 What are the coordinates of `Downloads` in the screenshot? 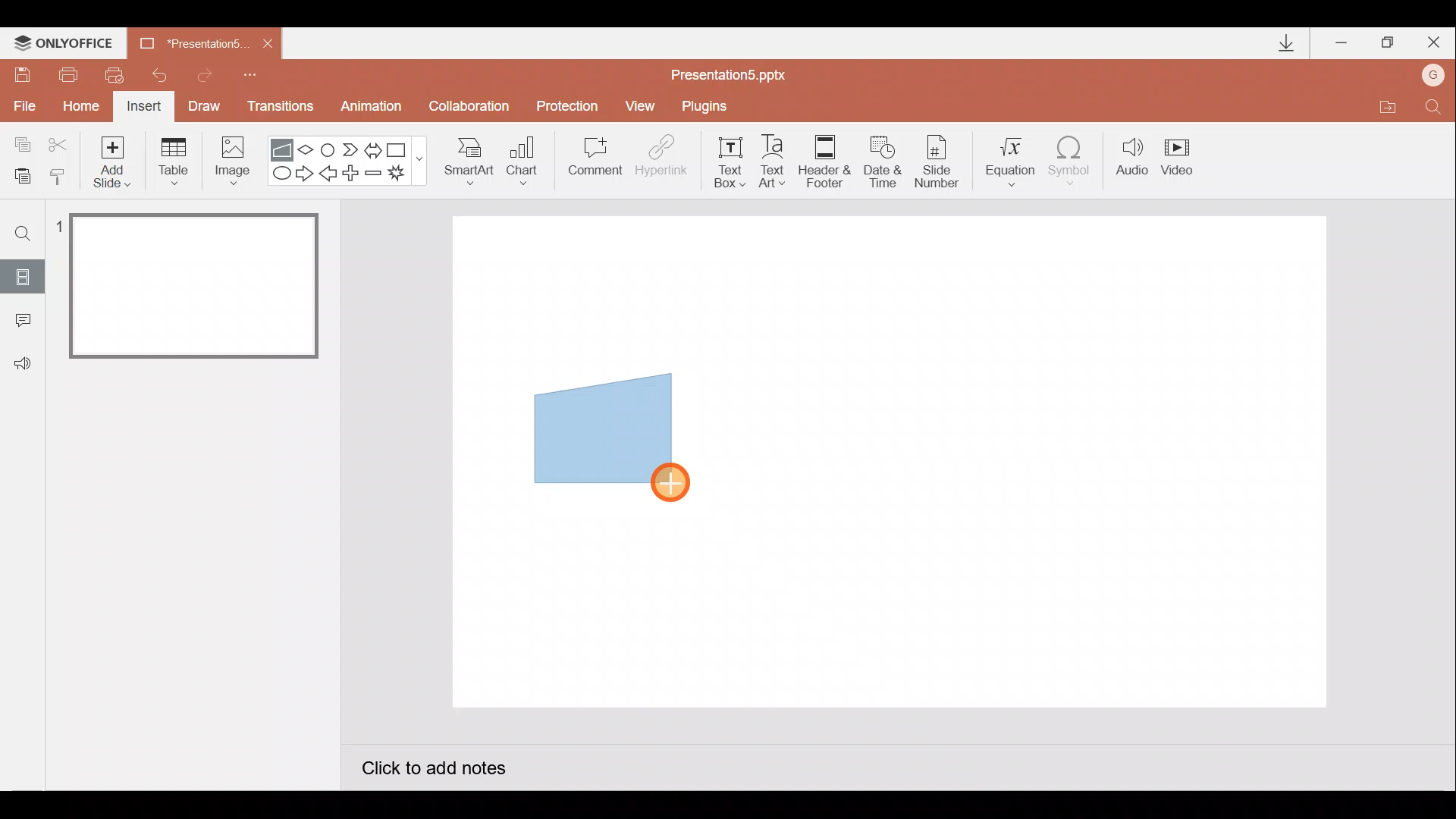 It's located at (1284, 44).